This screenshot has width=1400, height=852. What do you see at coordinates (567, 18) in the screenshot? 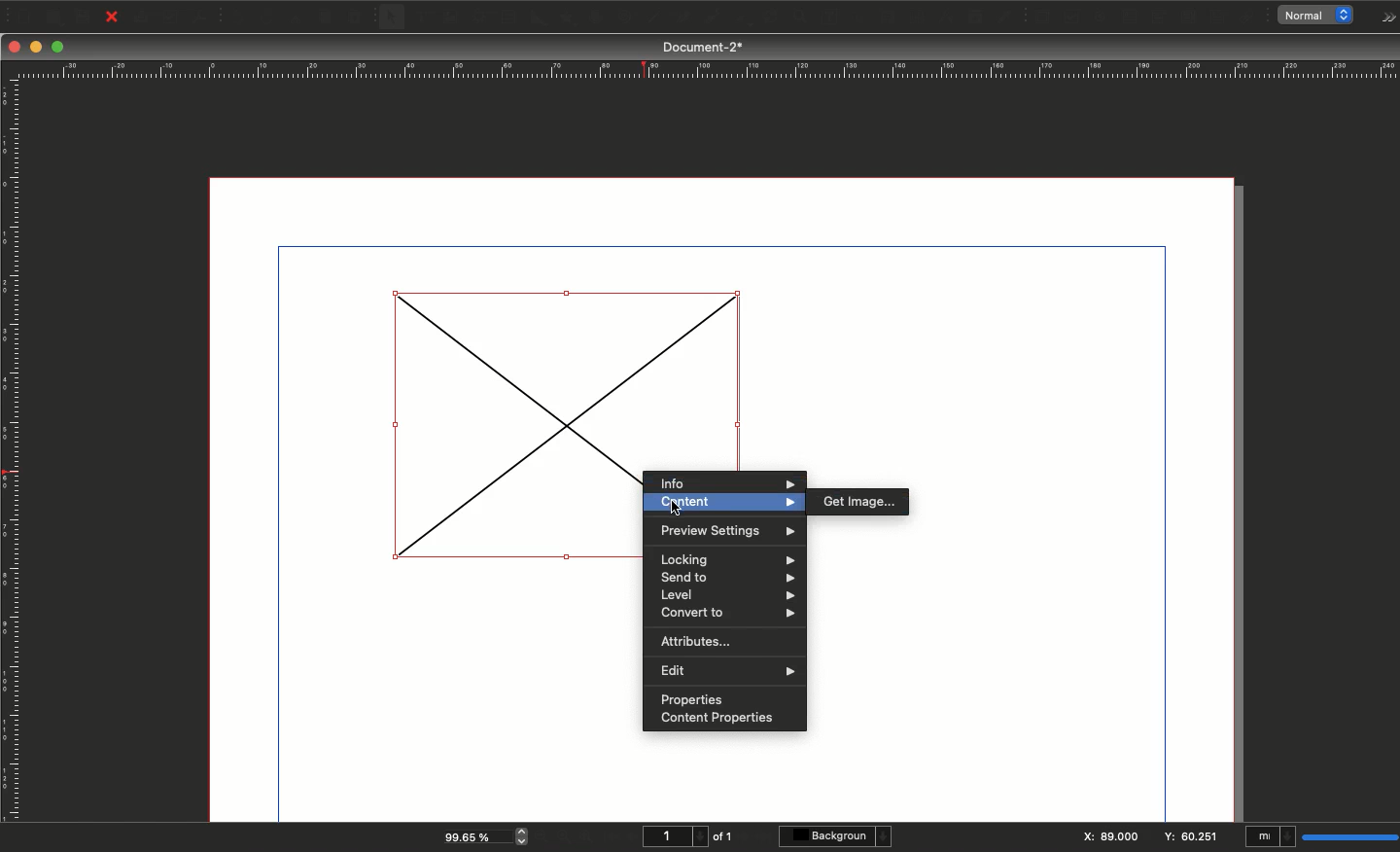
I see `Polygon` at bounding box center [567, 18].